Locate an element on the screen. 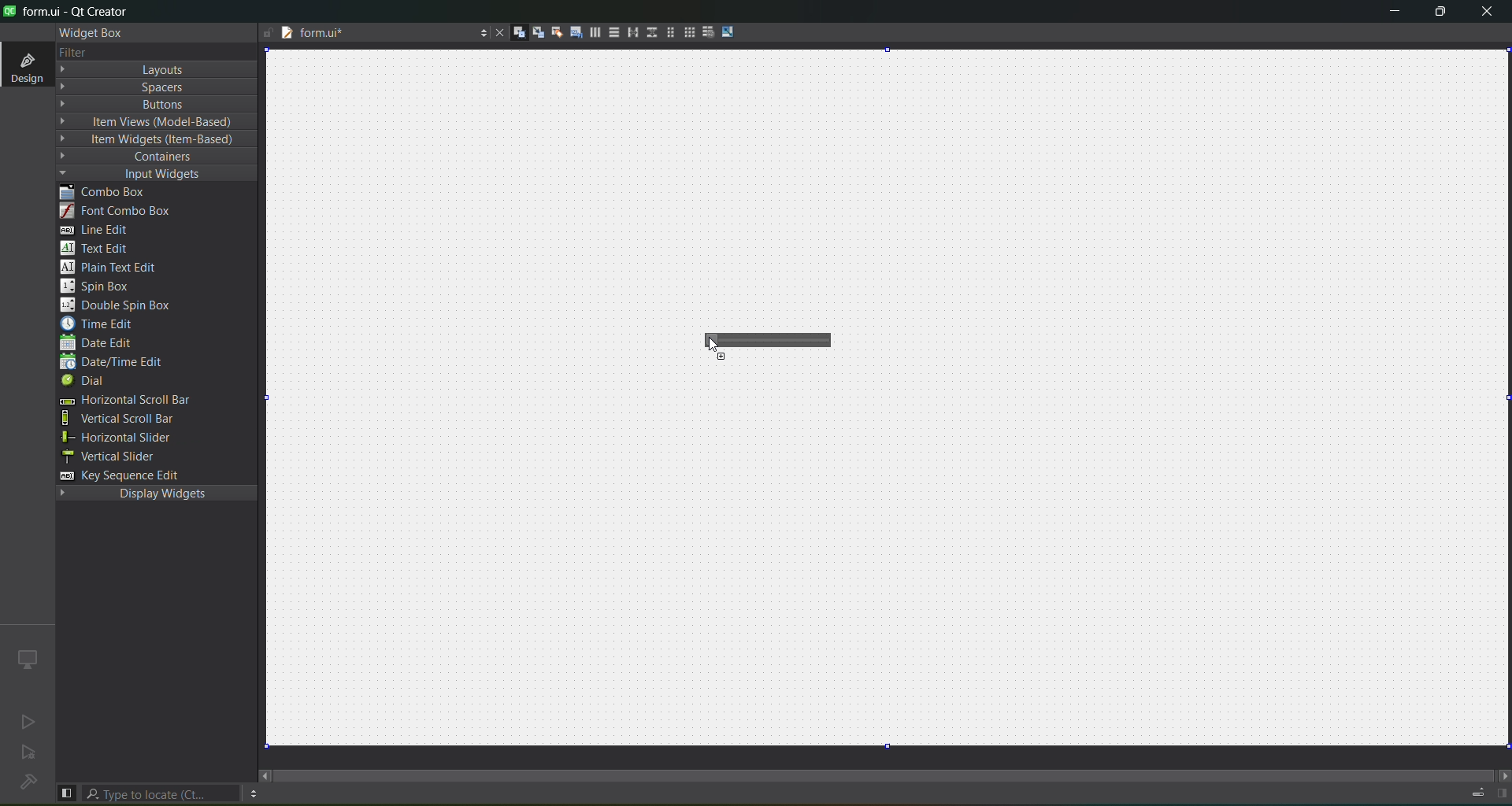 Image resolution: width=1512 pixels, height=806 pixels. minimize is located at coordinates (1388, 14).